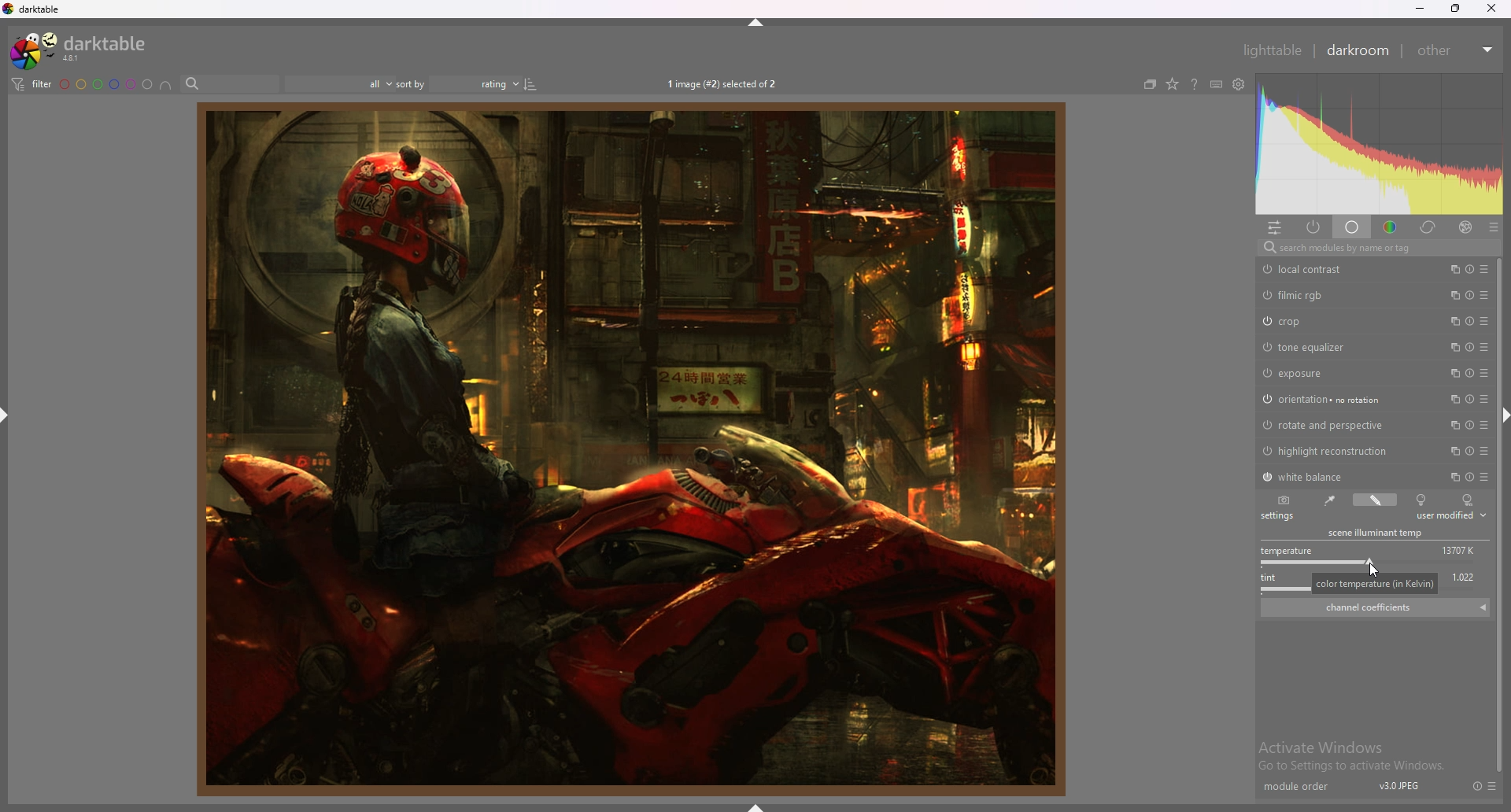 This screenshot has height=812, width=1511. Describe the element at coordinates (230, 84) in the screenshot. I see `search bar` at that location.